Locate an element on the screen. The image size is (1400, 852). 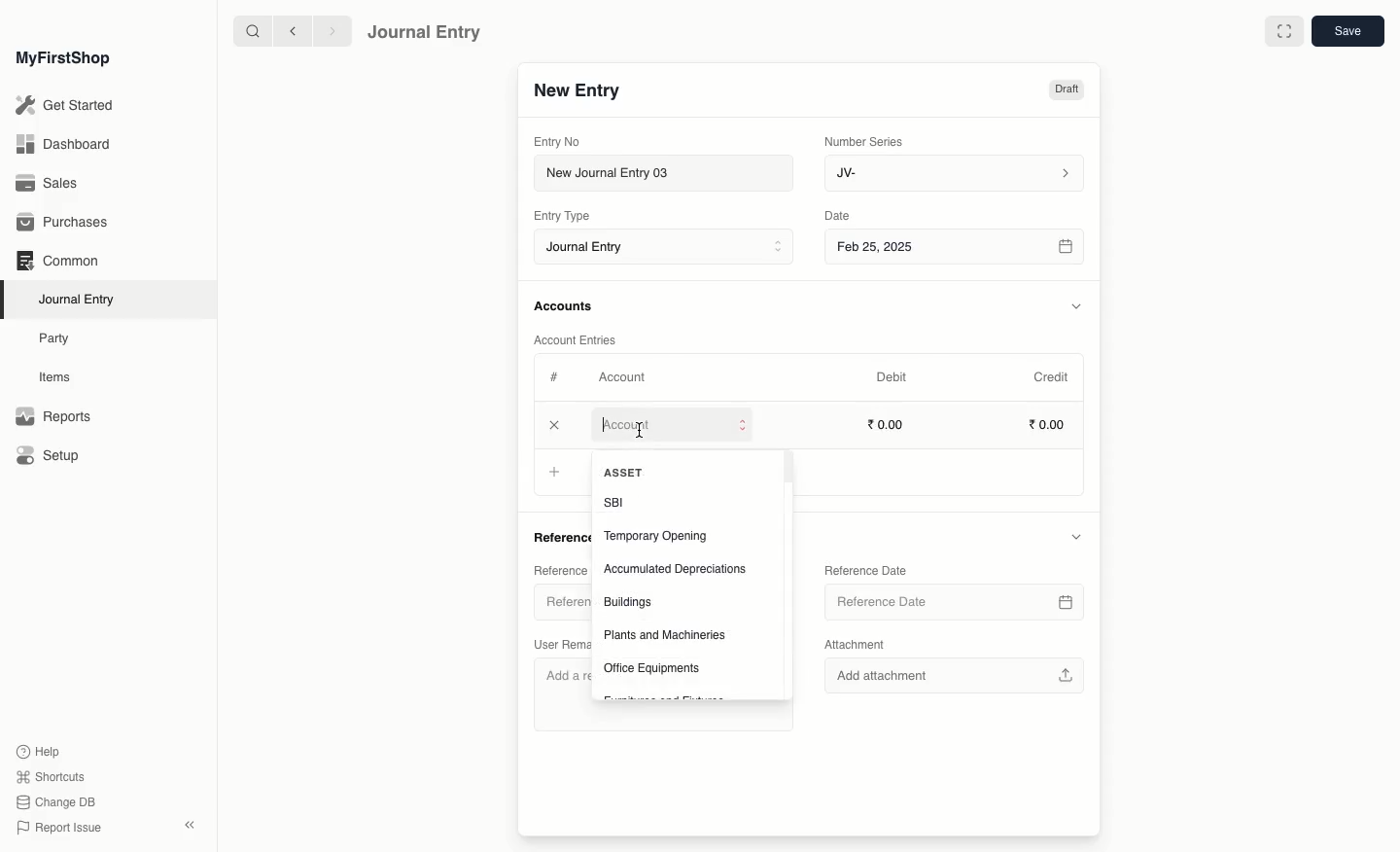
Draft is located at coordinates (1066, 91).